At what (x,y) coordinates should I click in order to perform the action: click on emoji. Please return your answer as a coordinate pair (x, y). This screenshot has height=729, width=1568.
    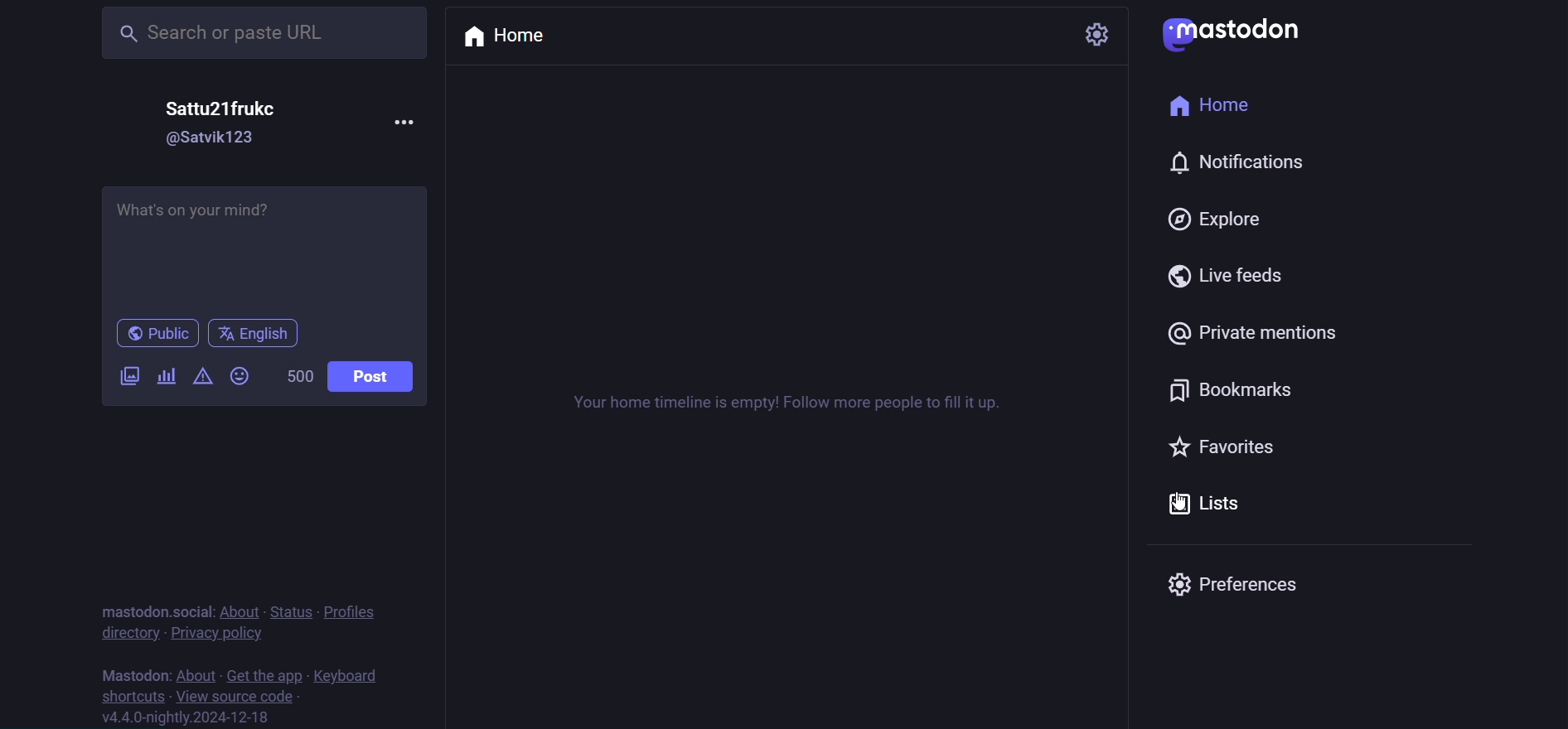
    Looking at the image, I should click on (240, 374).